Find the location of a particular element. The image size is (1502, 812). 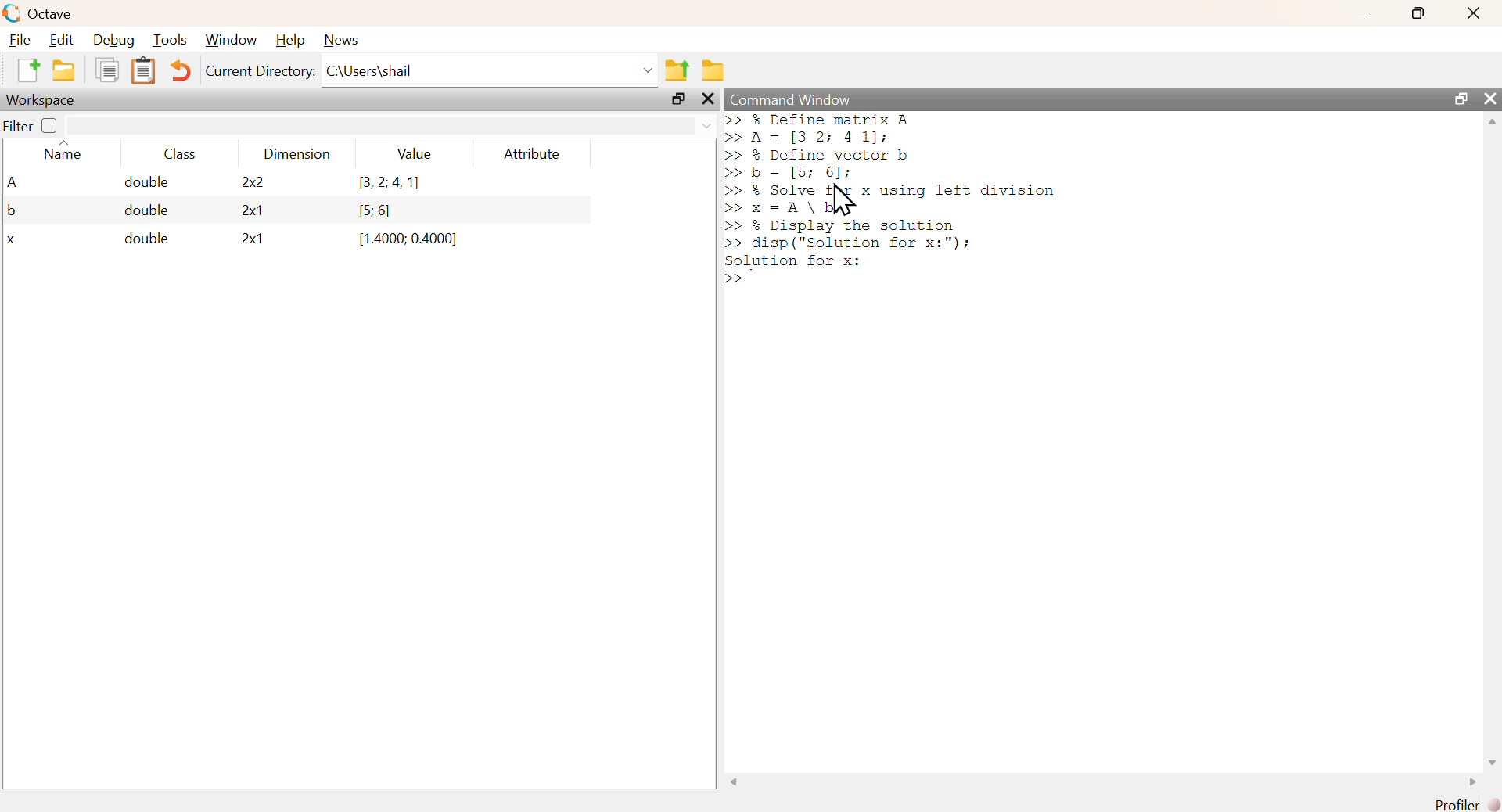

close is located at coordinates (1472, 14).